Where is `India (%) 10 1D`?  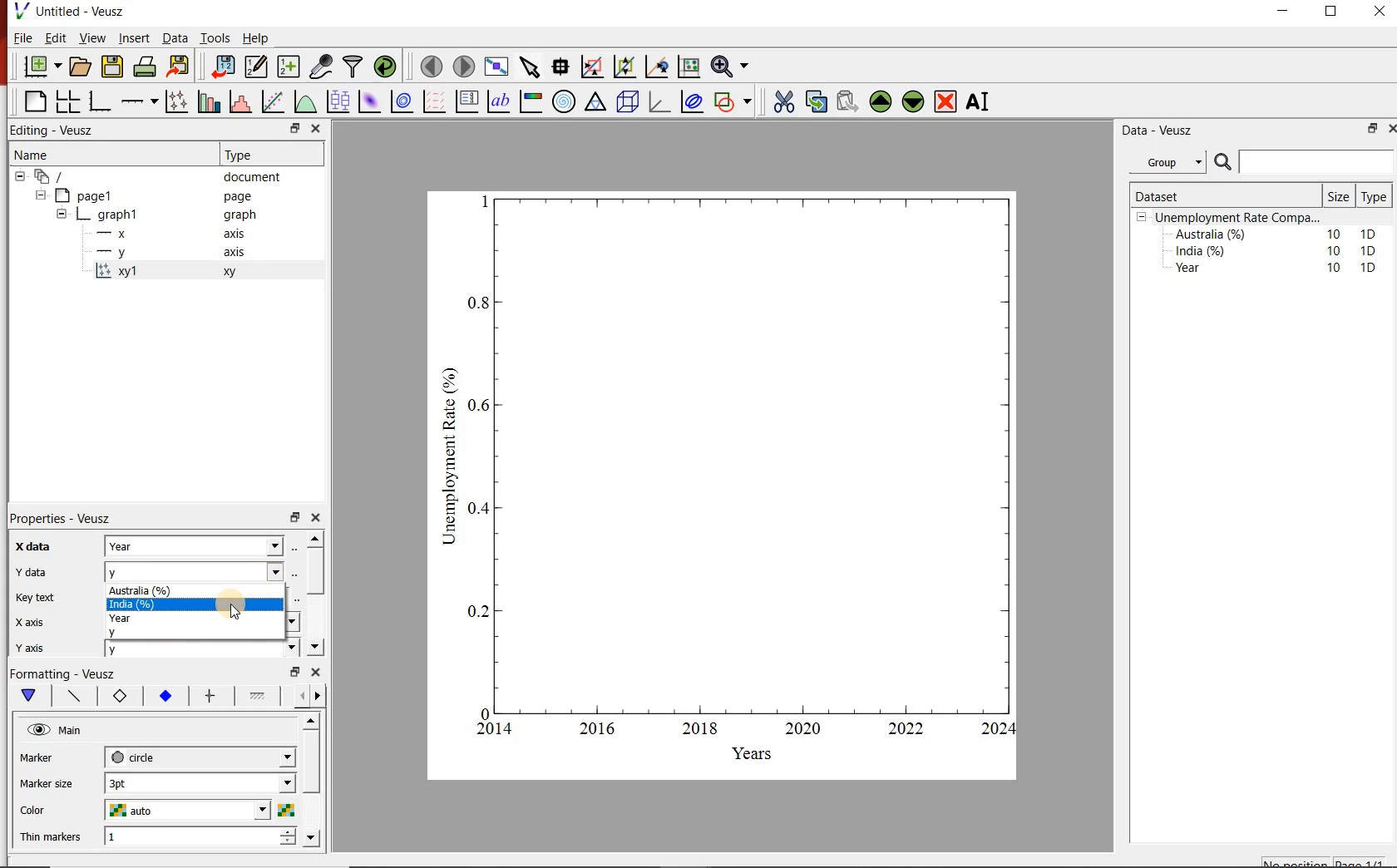 India (%) 10 1D is located at coordinates (1277, 250).